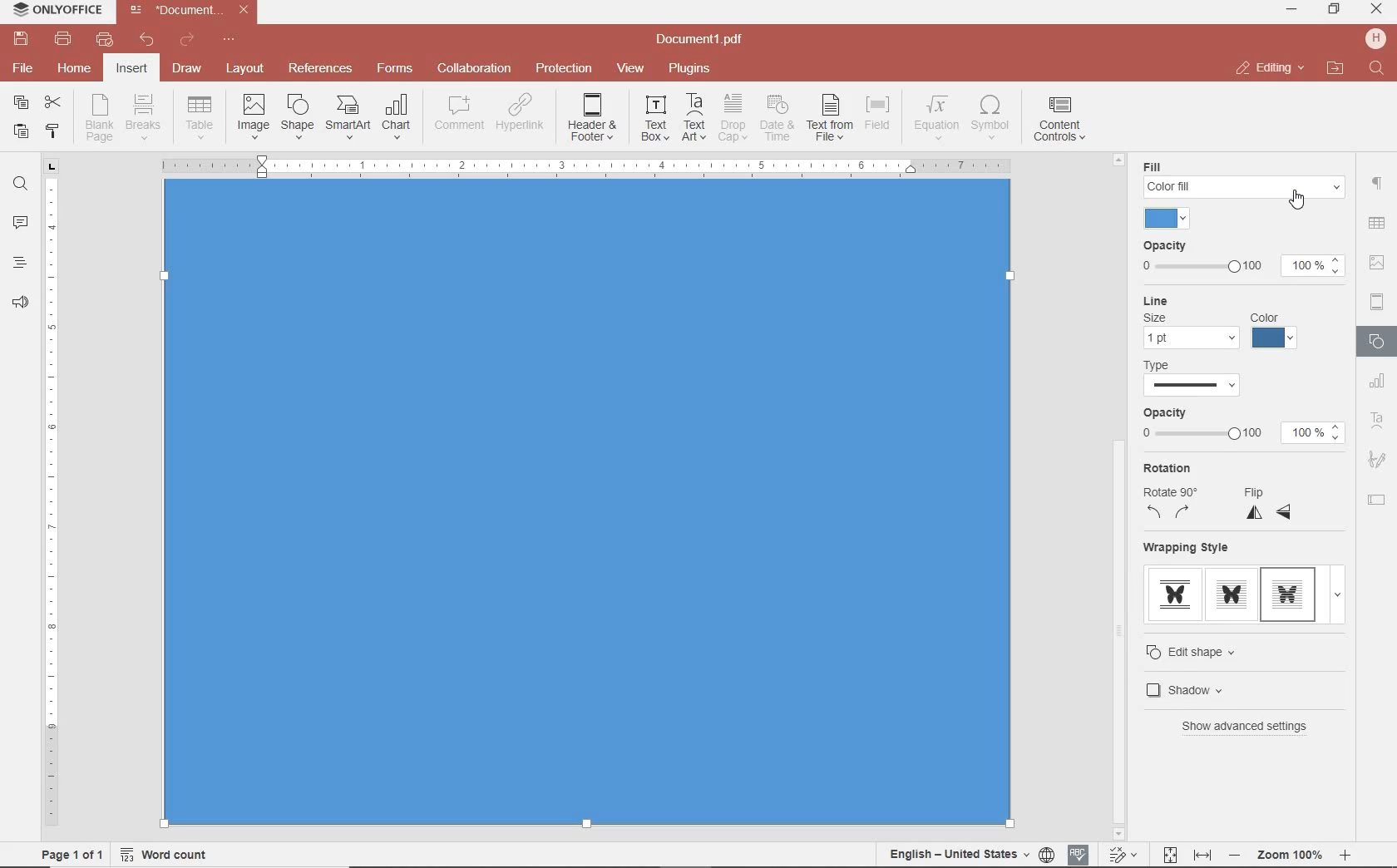  Describe the element at coordinates (1229, 649) in the screenshot. I see `THROUGH` at that location.